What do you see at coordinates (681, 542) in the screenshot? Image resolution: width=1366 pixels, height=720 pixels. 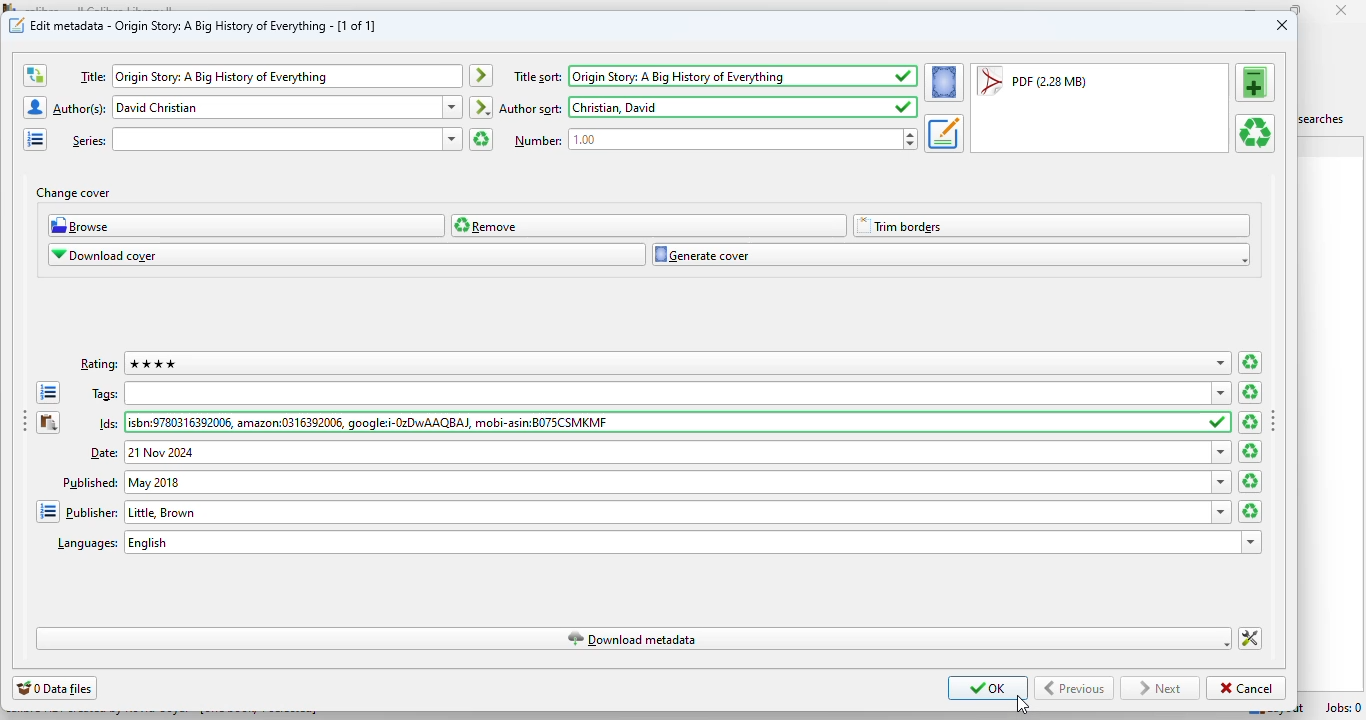 I see `languages: english` at bounding box center [681, 542].